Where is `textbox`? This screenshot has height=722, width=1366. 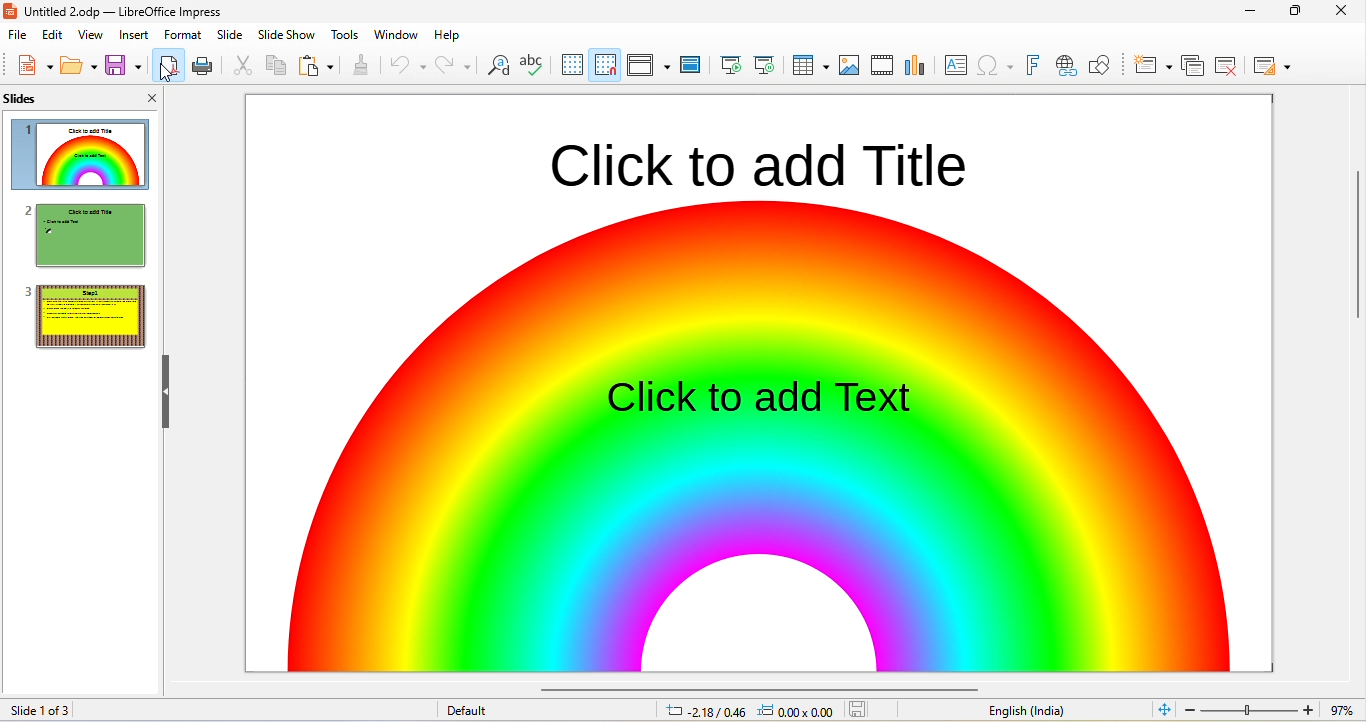
textbox is located at coordinates (954, 66).